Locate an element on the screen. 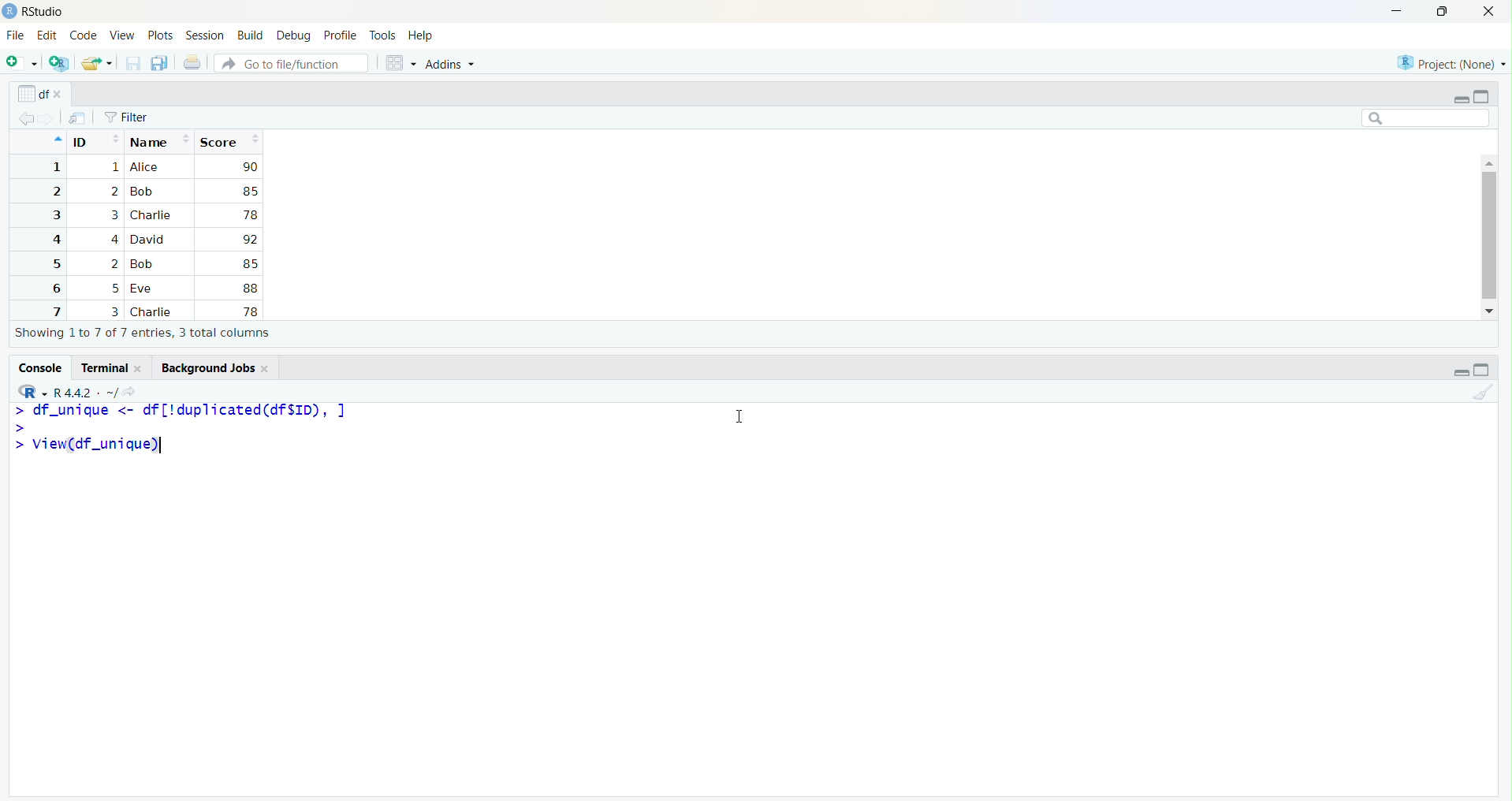 The height and width of the screenshot is (801, 1512). close is located at coordinates (61, 95).